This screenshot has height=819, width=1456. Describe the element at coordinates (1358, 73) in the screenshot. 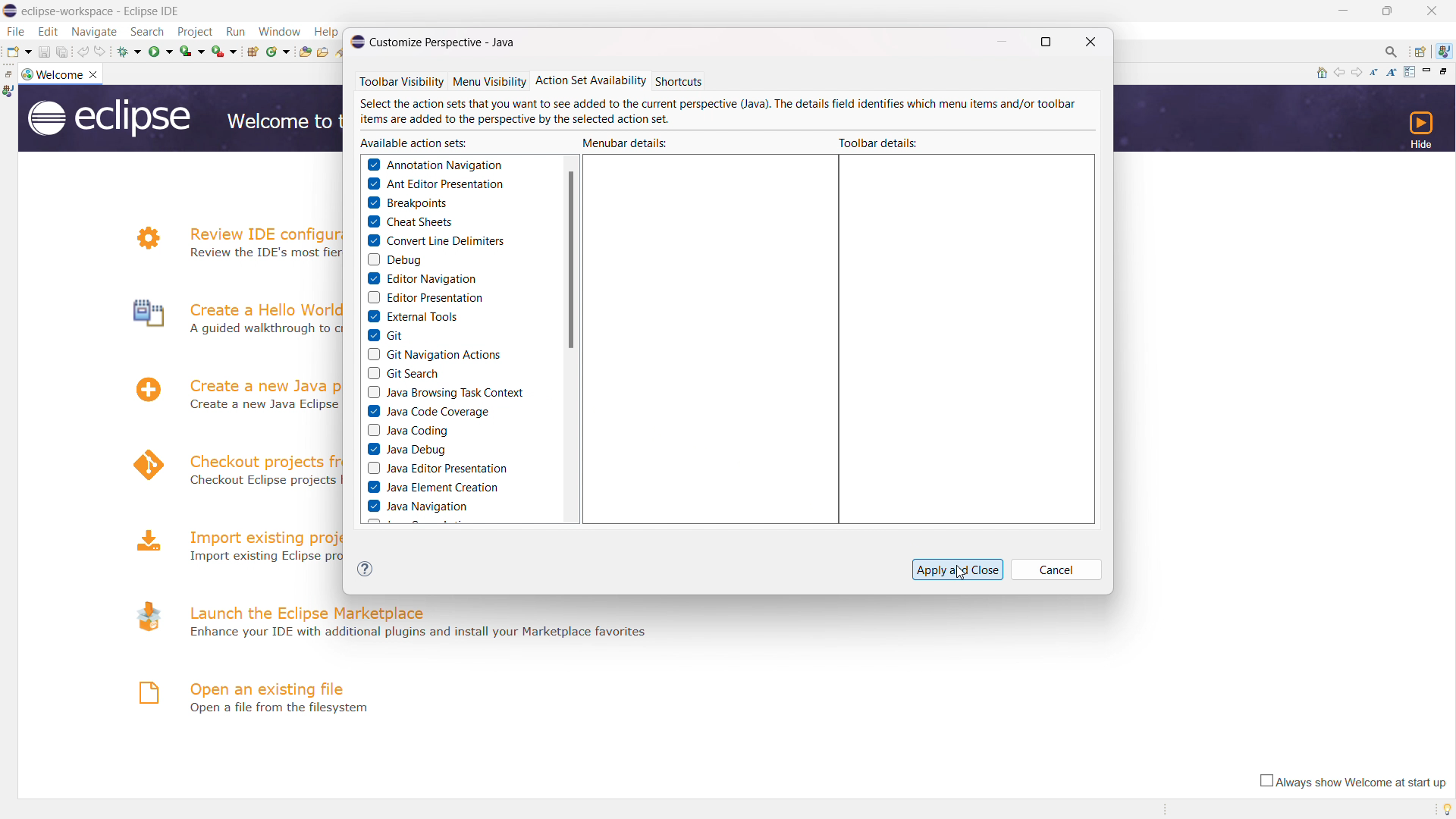

I see `navigate to next topic` at that location.